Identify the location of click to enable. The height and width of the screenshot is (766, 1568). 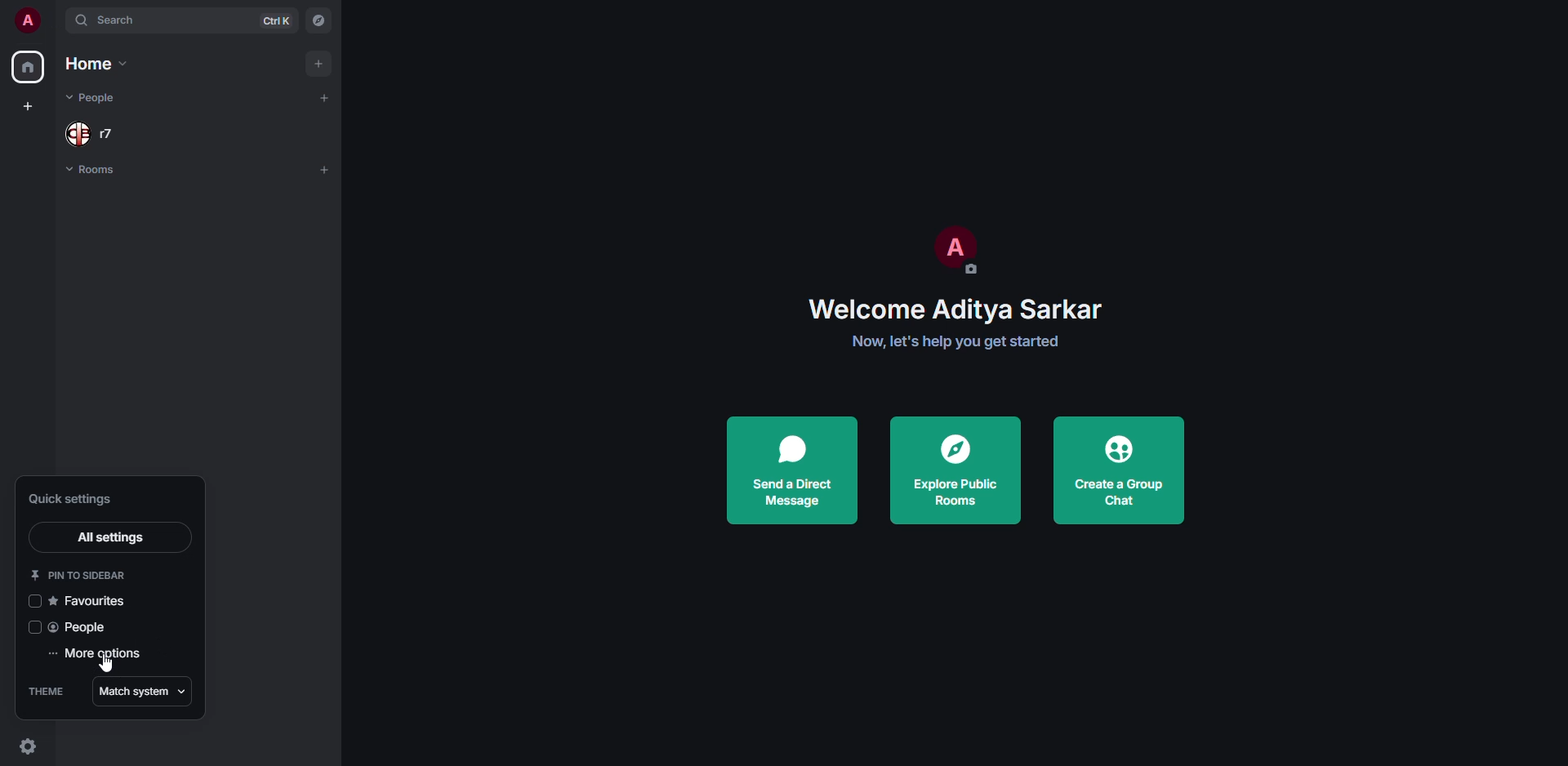
(32, 625).